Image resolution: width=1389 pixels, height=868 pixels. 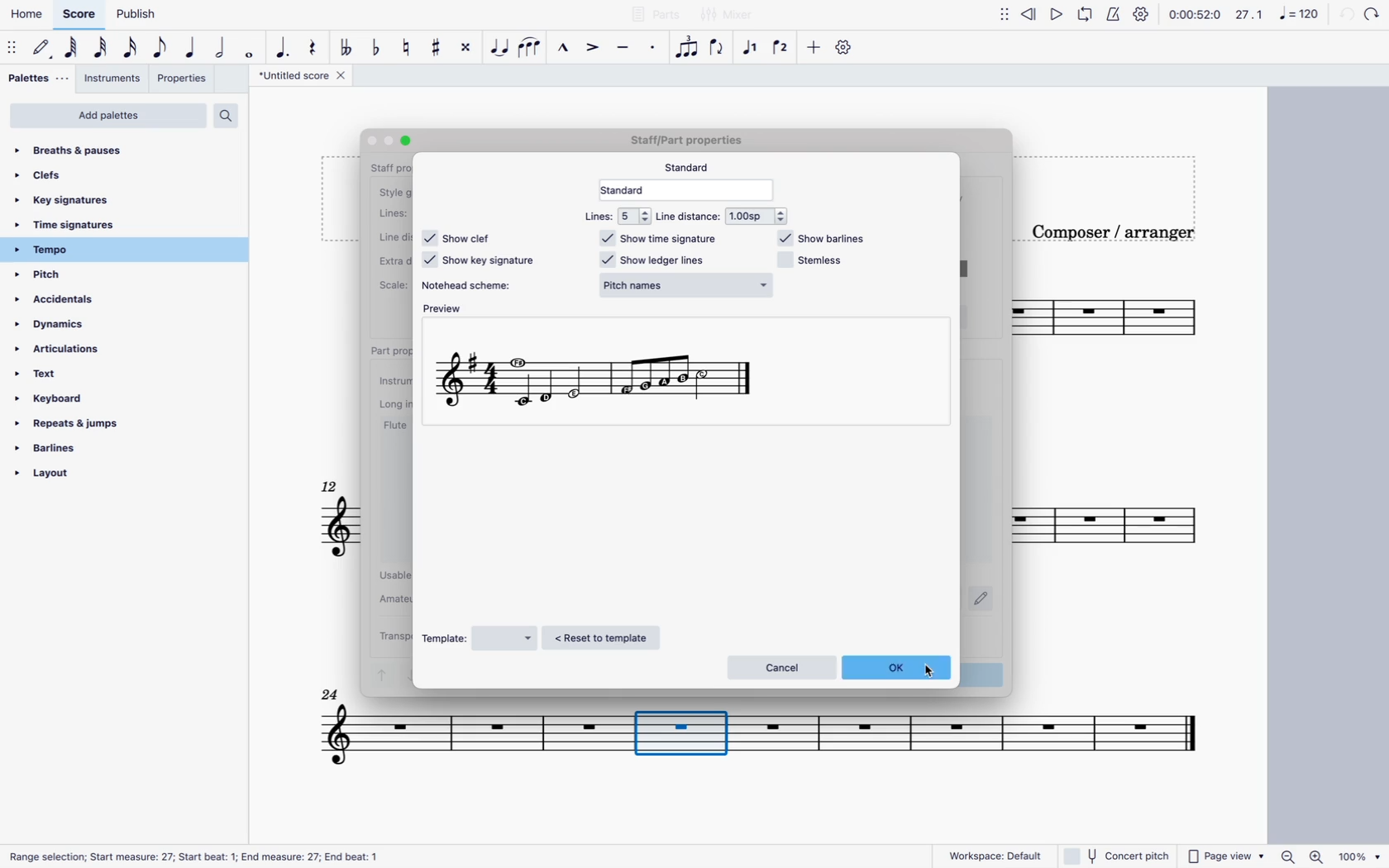 What do you see at coordinates (73, 151) in the screenshot?
I see `breaths & pauses` at bounding box center [73, 151].